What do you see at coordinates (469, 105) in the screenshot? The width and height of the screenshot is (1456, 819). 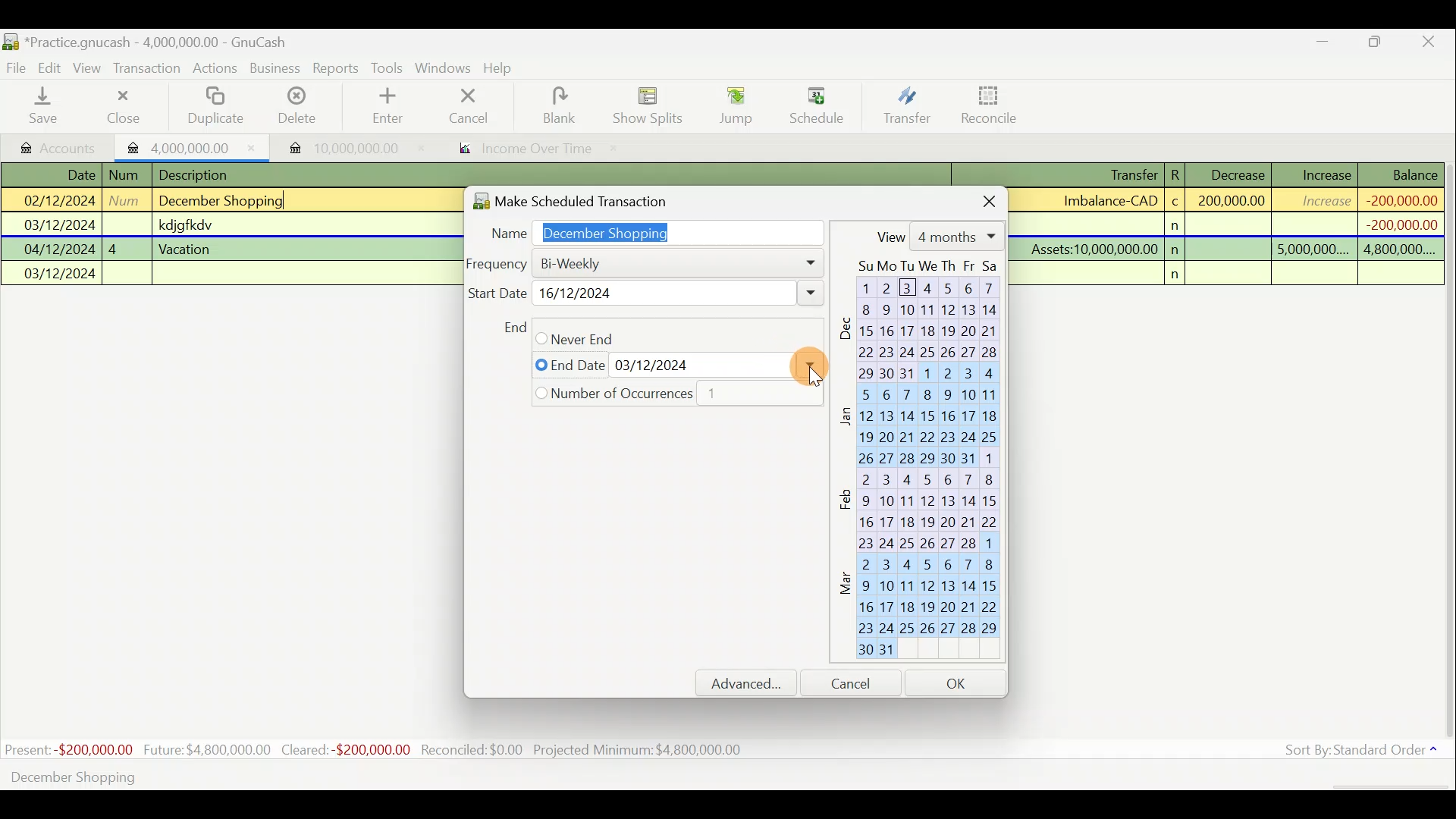 I see `Cancel` at bounding box center [469, 105].